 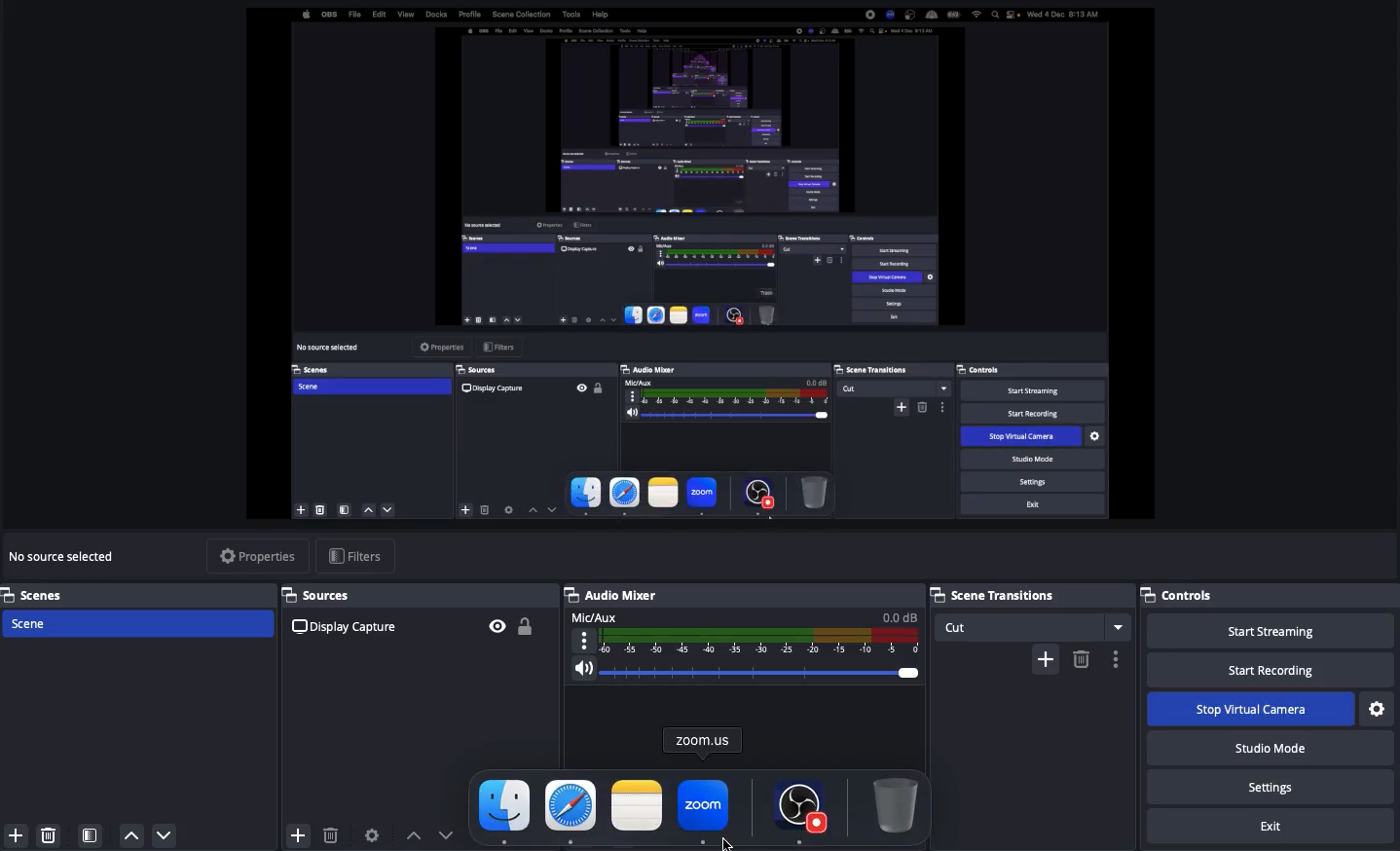 What do you see at coordinates (747, 668) in the screenshot?
I see `Volume` at bounding box center [747, 668].